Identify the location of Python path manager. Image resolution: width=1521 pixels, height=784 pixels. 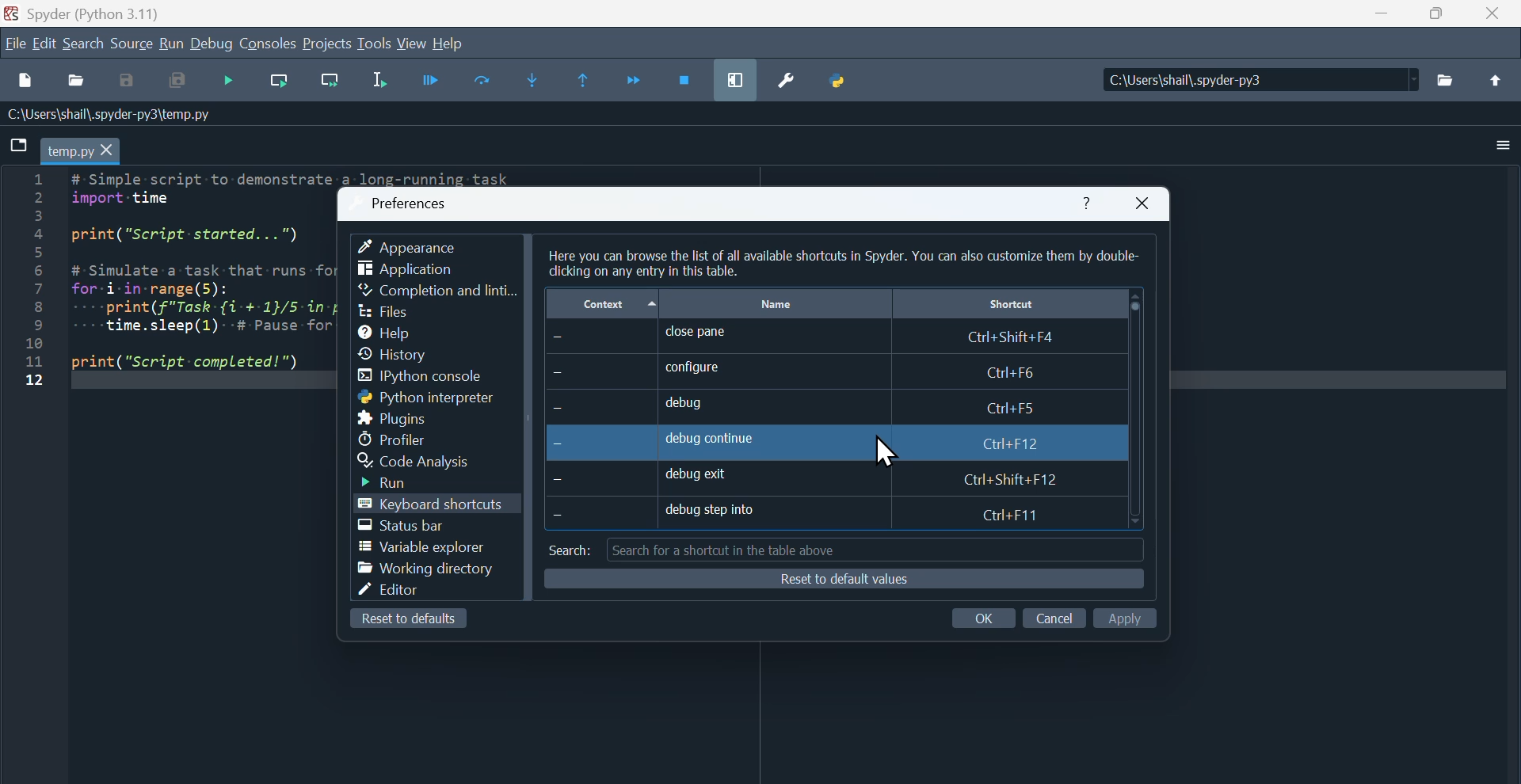
(842, 78).